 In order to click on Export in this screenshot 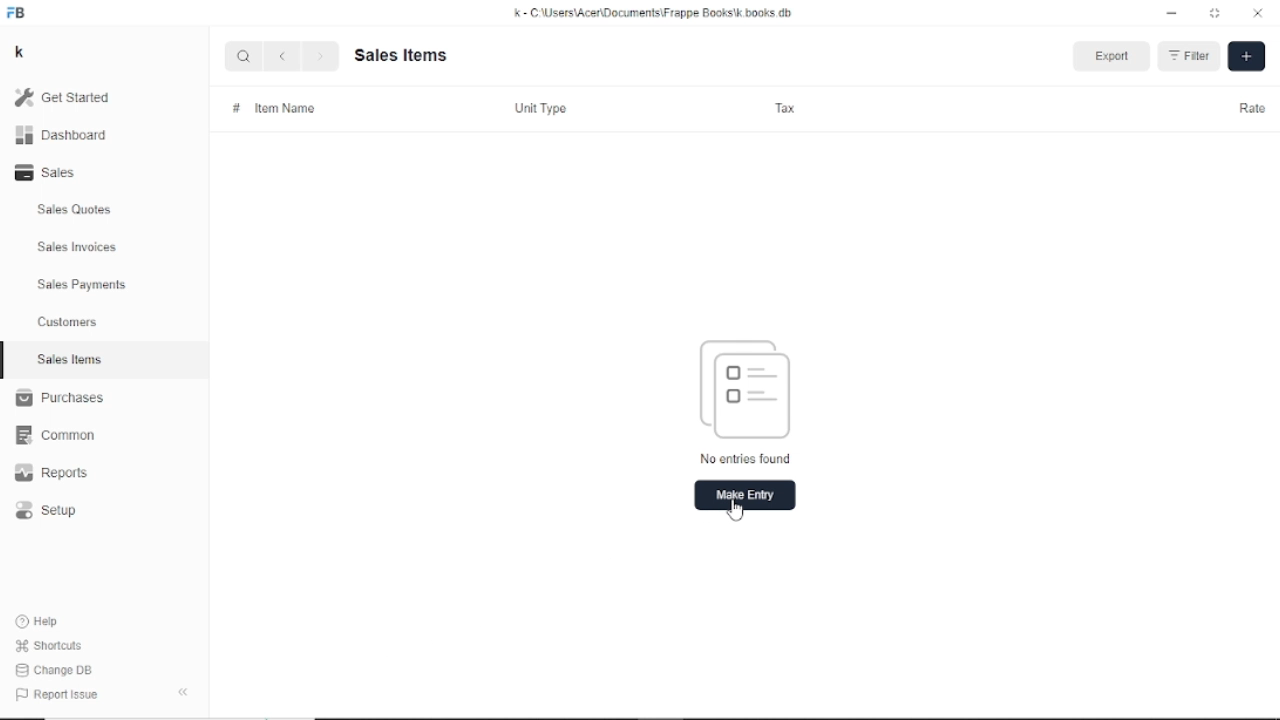, I will do `click(1113, 55)`.